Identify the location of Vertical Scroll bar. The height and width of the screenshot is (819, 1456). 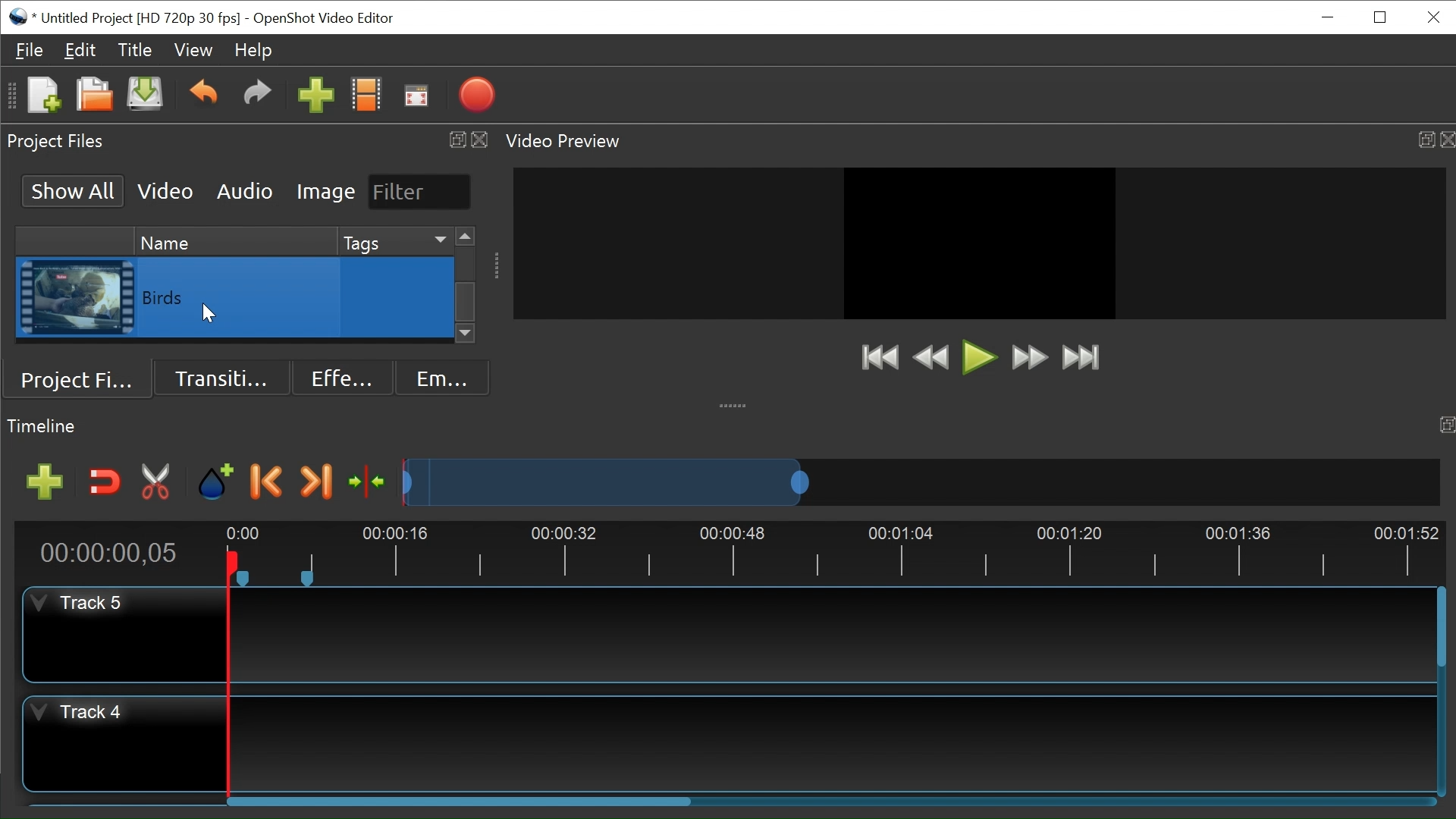
(1439, 629).